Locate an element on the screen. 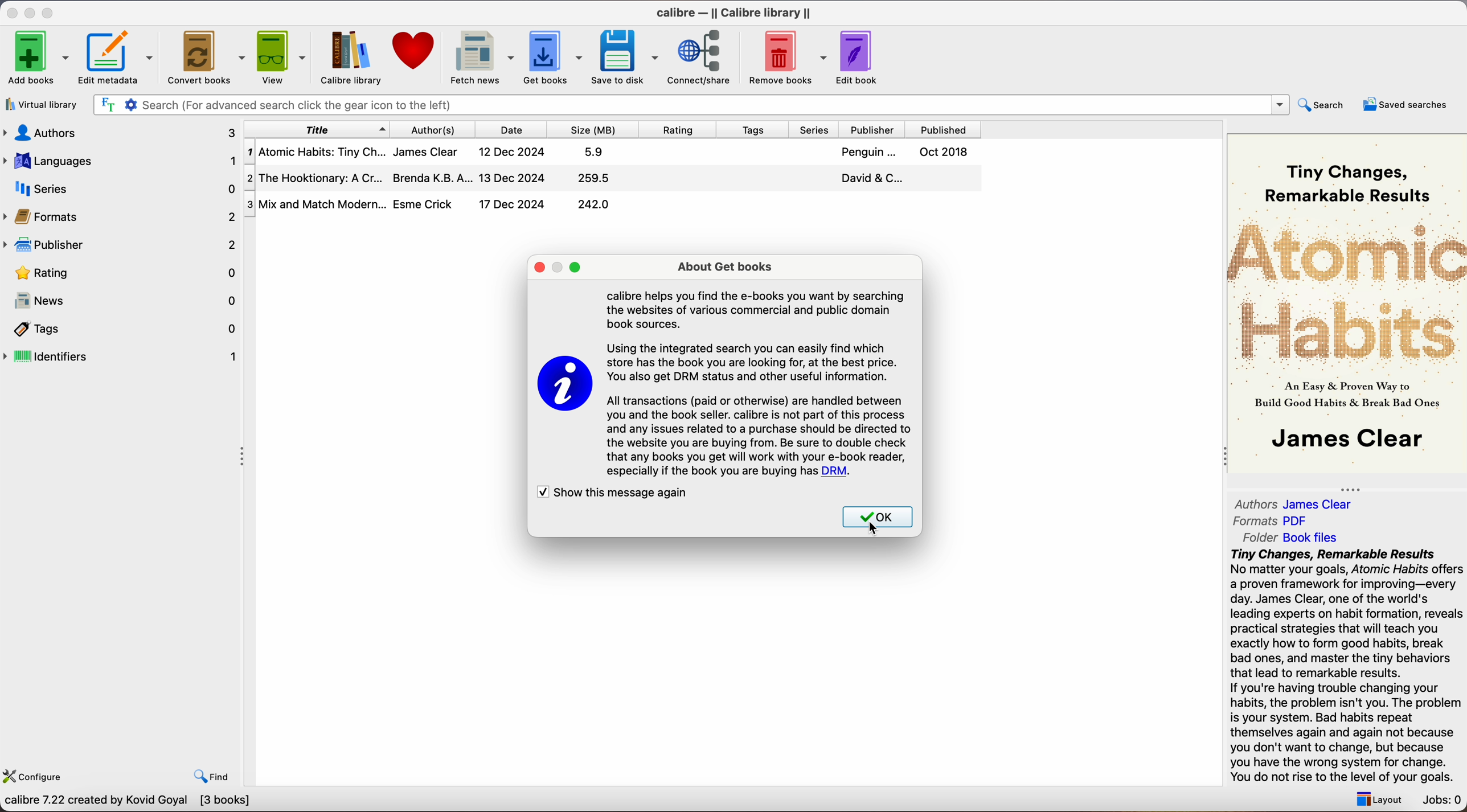 This screenshot has width=1467, height=812. view is located at coordinates (283, 56).